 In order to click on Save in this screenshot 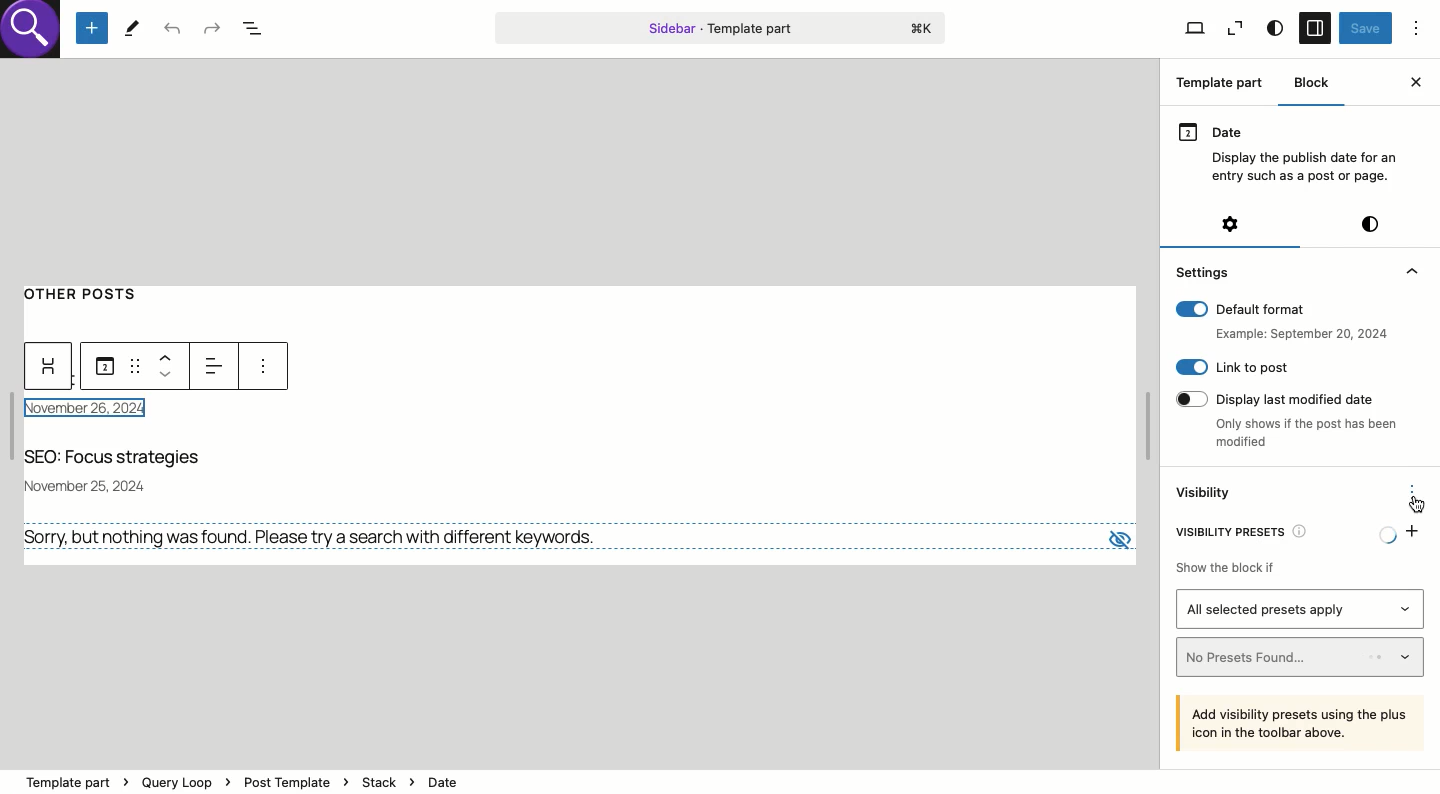, I will do `click(1365, 29)`.